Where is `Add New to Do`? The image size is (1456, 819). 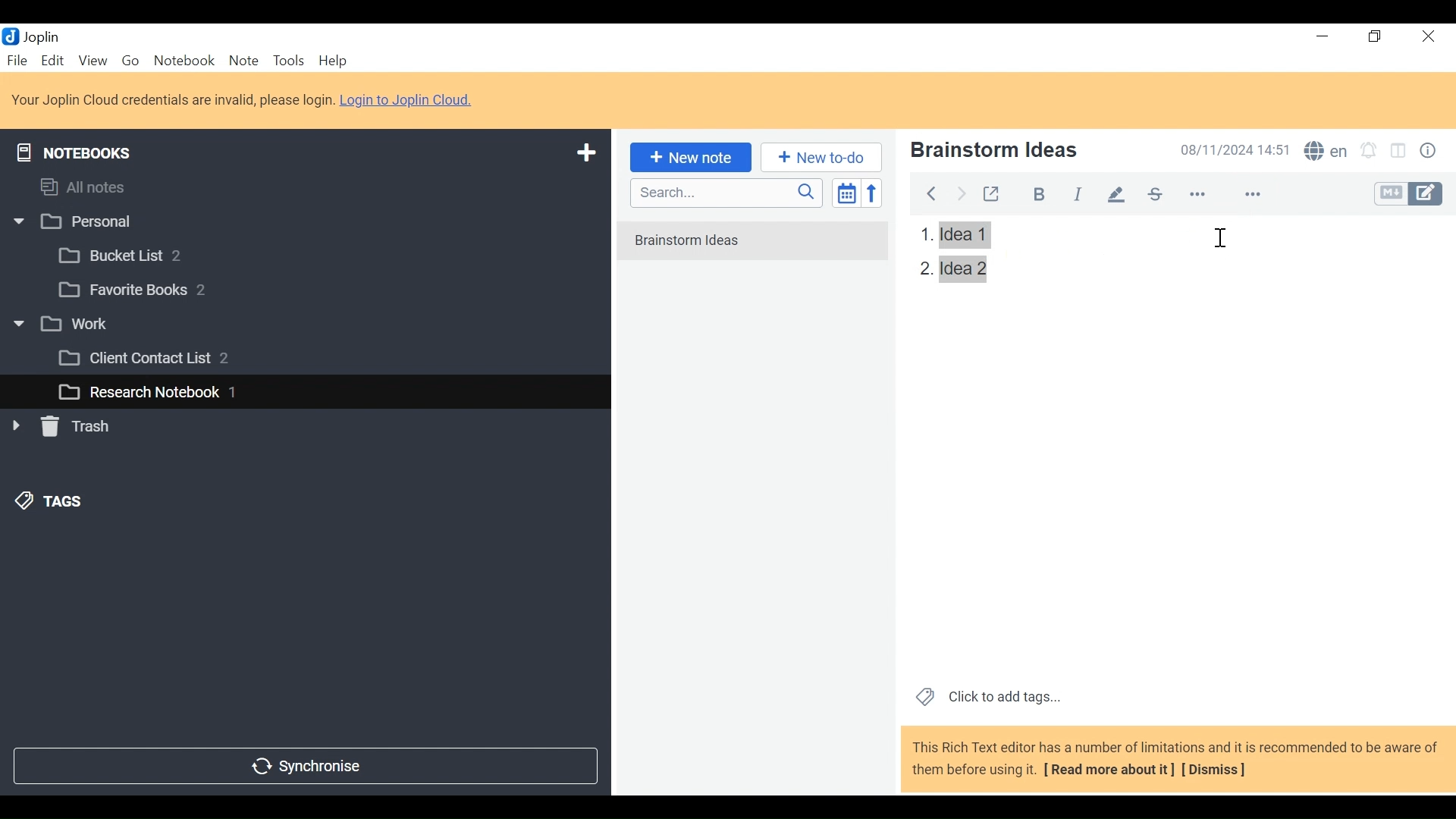
Add New to Do is located at coordinates (821, 158).